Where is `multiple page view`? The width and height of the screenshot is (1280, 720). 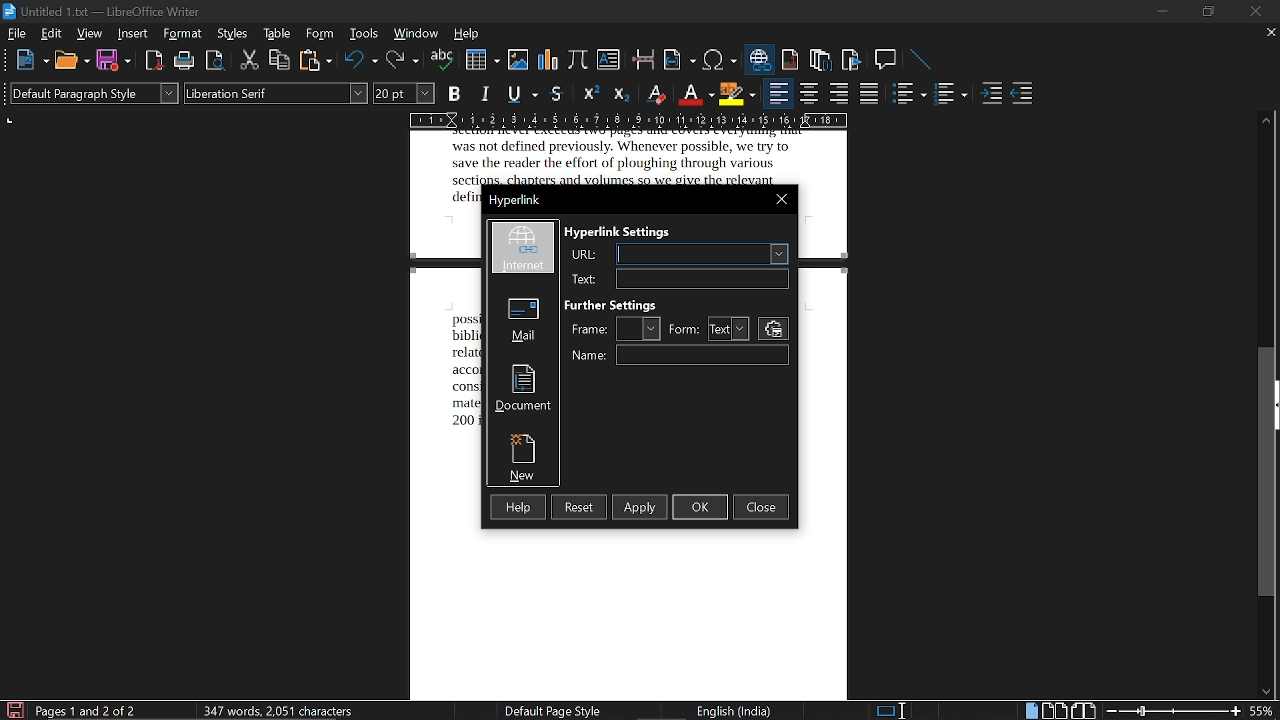
multiple page view is located at coordinates (1054, 710).